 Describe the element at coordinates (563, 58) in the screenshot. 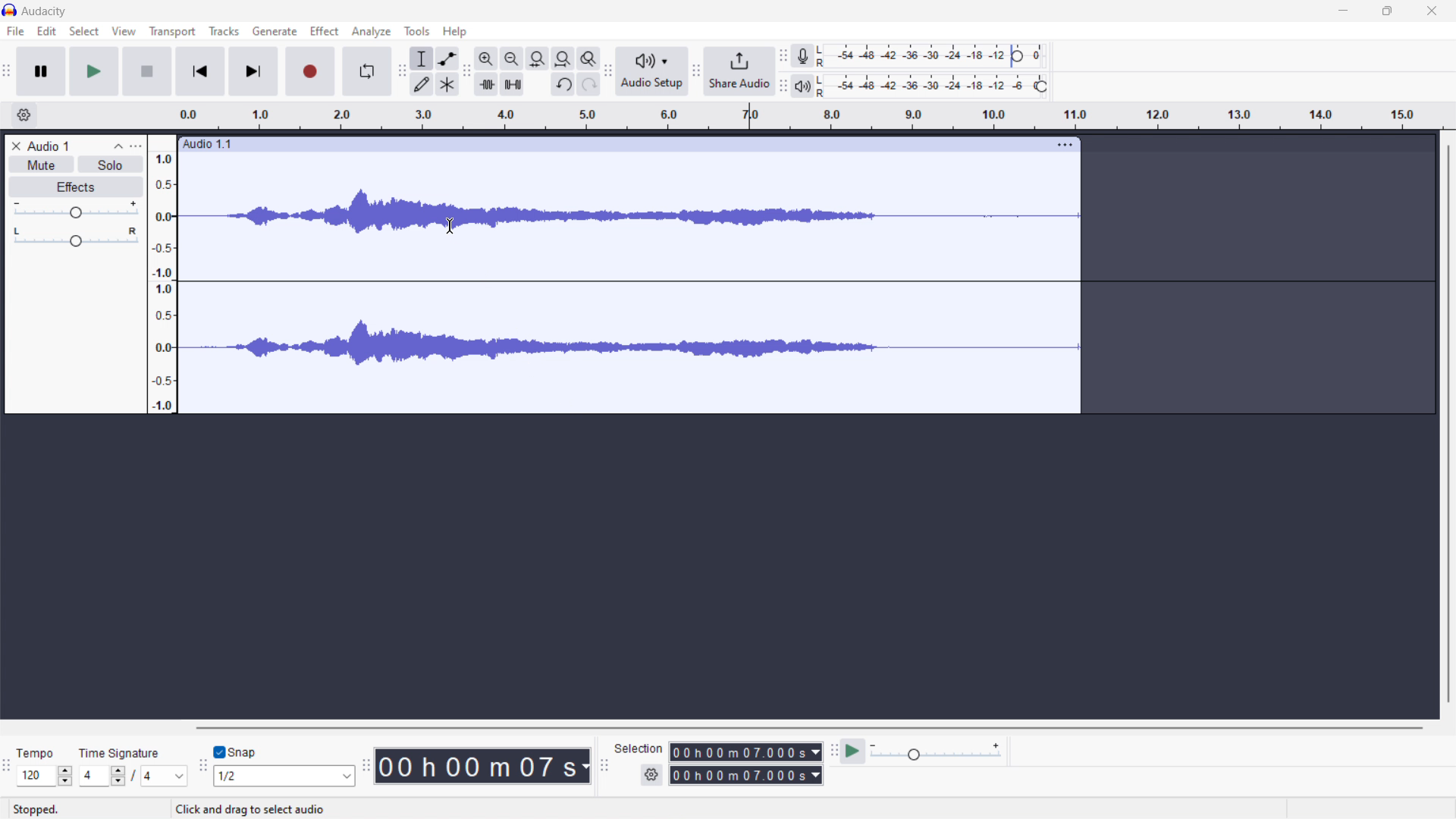

I see `fill project to width` at that location.